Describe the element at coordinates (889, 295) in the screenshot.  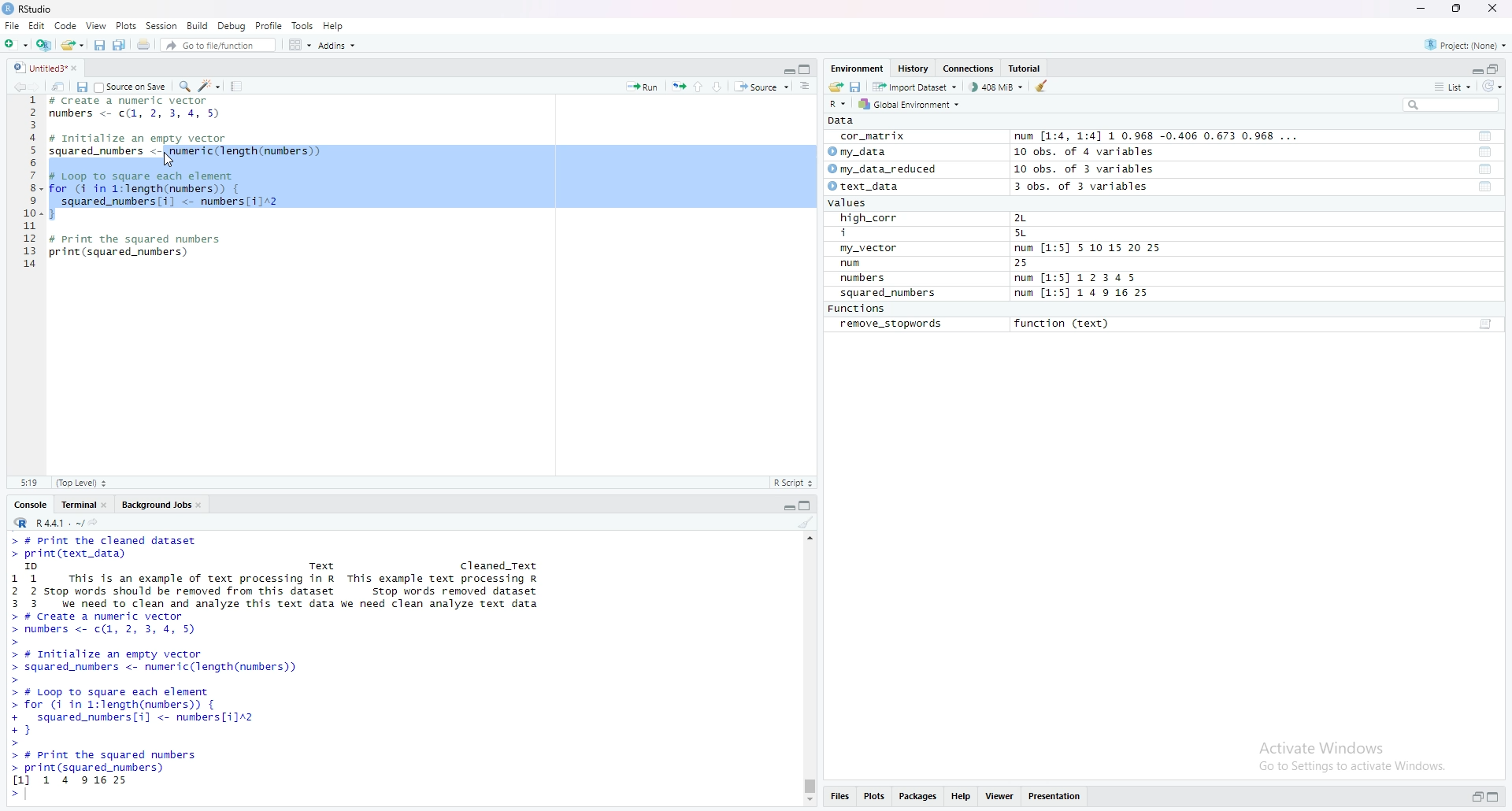
I see `squared_numbers` at that location.